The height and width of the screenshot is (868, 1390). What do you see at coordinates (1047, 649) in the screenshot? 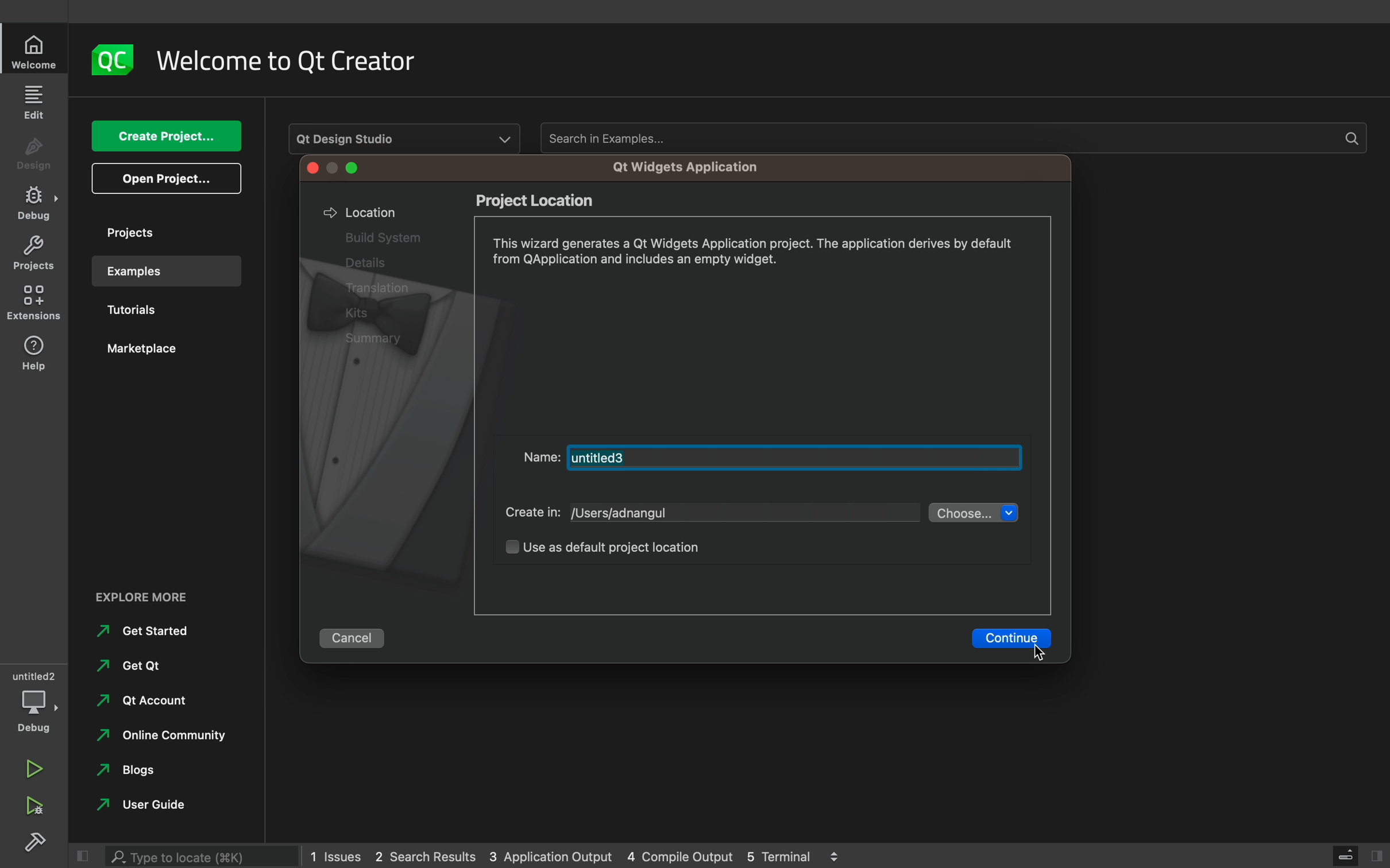
I see `cursor` at bounding box center [1047, 649].